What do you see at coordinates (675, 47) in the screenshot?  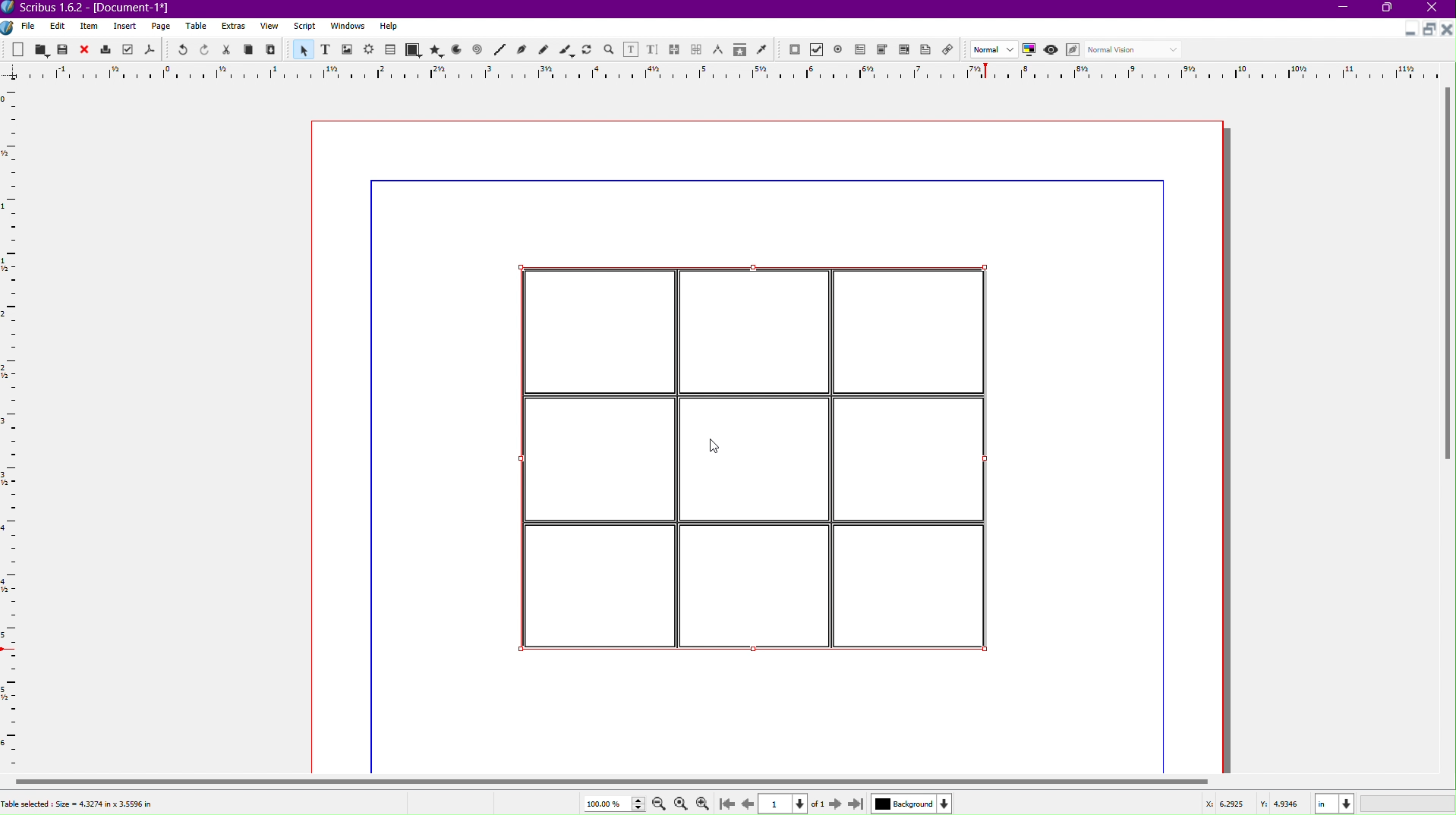 I see `Link Text Frames` at bounding box center [675, 47].